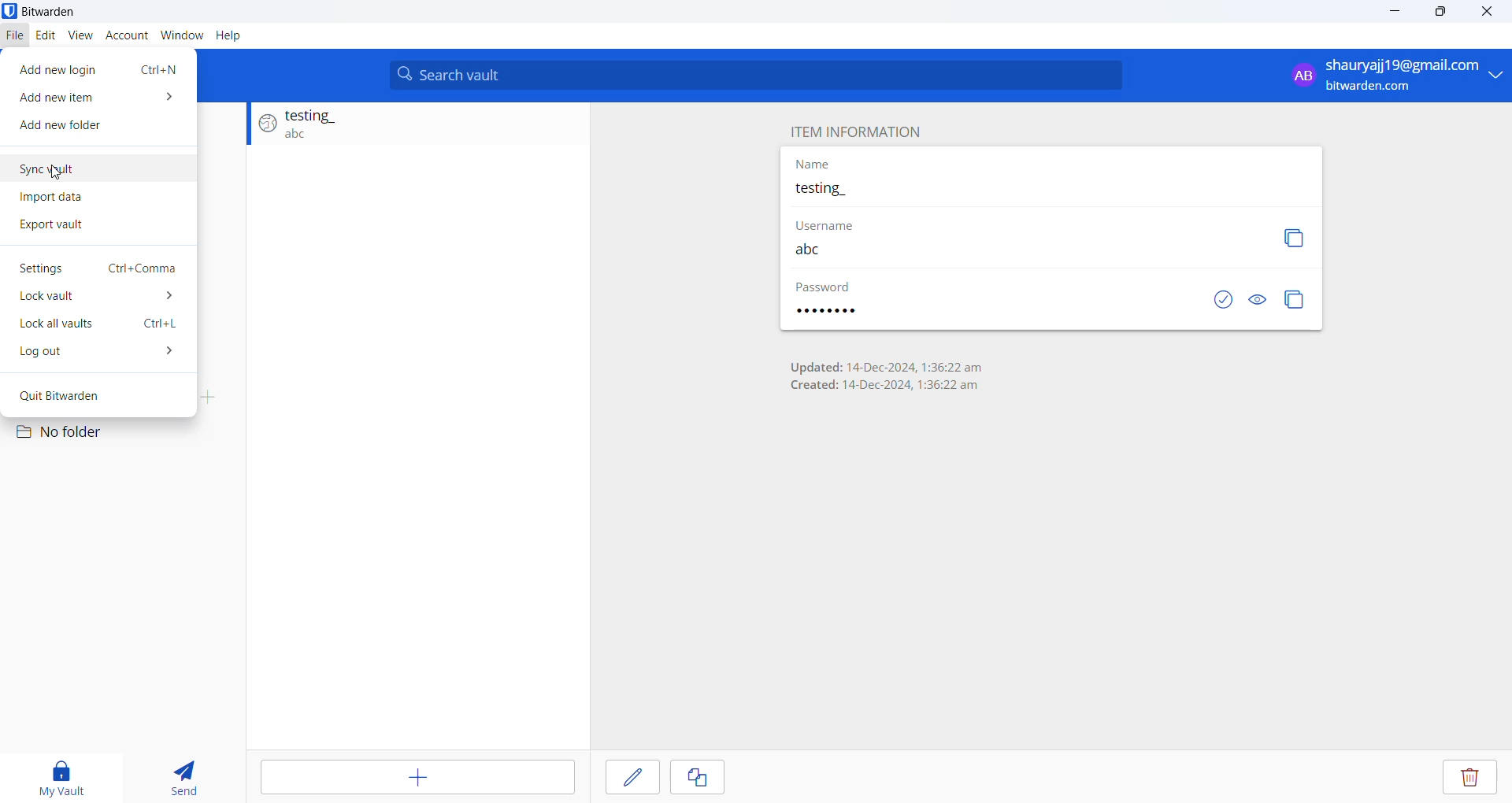 Image resolution: width=1512 pixels, height=803 pixels. What do you see at coordinates (839, 312) in the screenshot?
I see `password entered` at bounding box center [839, 312].